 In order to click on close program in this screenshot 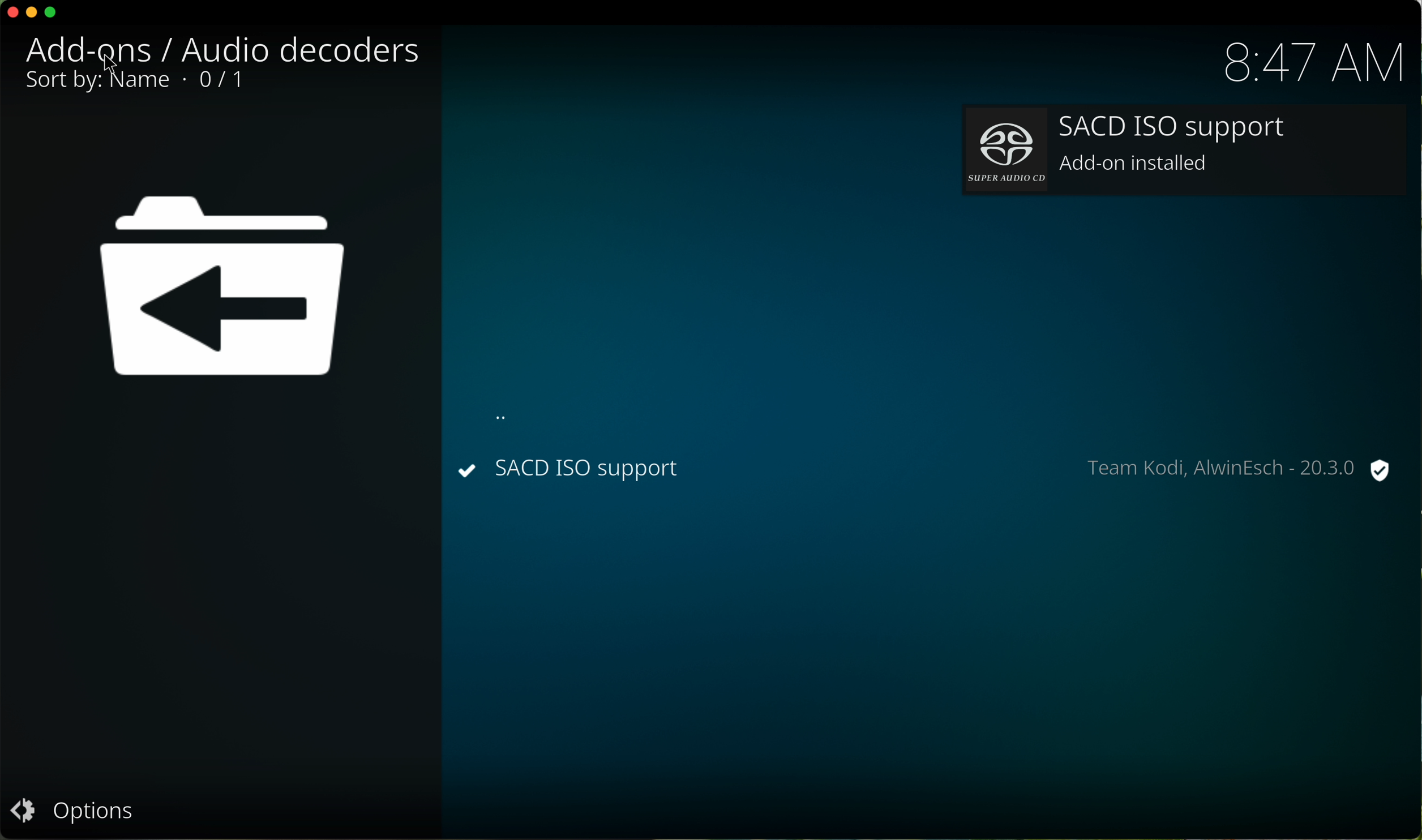, I will do `click(11, 13)`.